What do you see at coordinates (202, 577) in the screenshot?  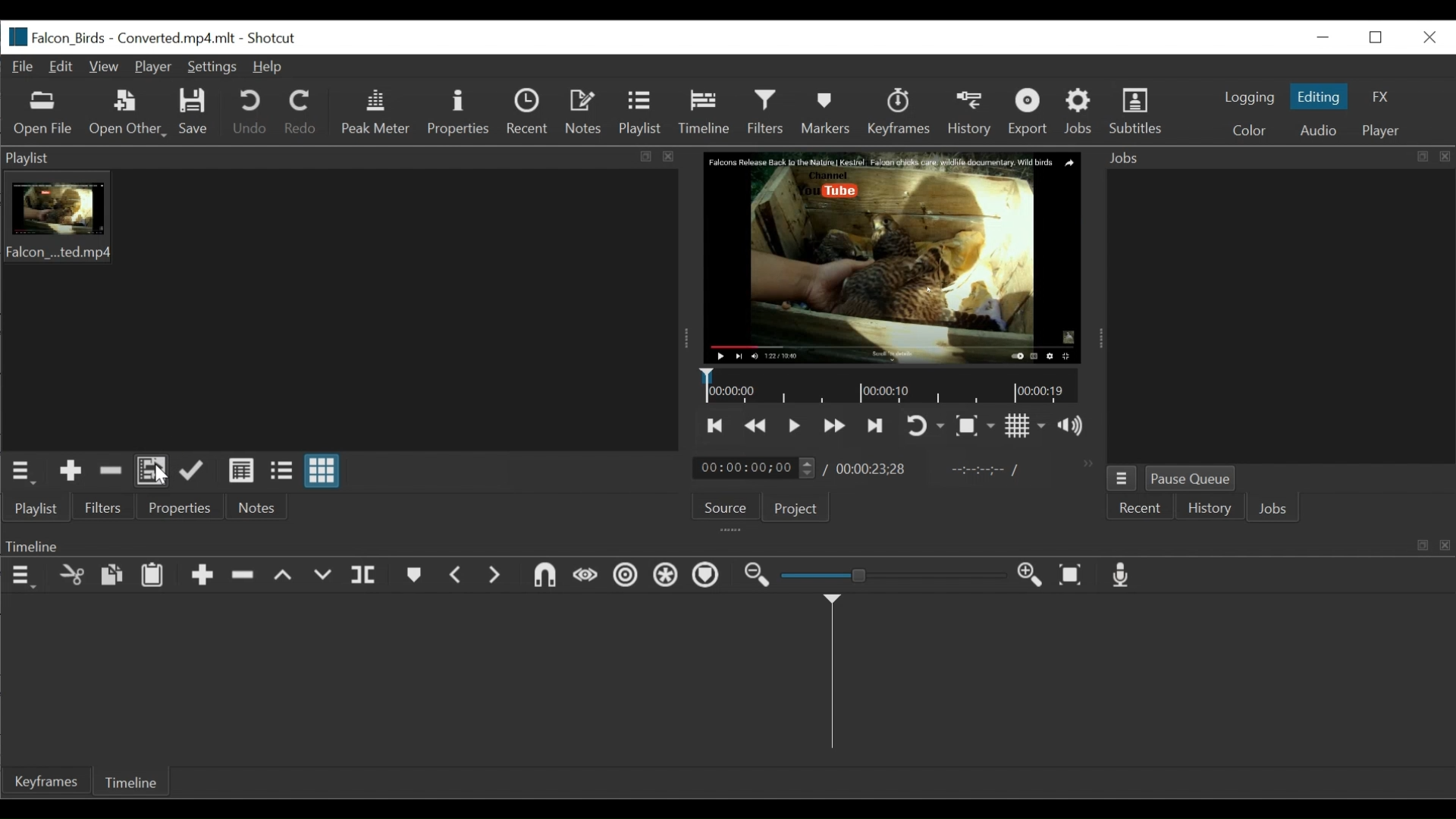 I see `Append` at bounding box center [202, 577].